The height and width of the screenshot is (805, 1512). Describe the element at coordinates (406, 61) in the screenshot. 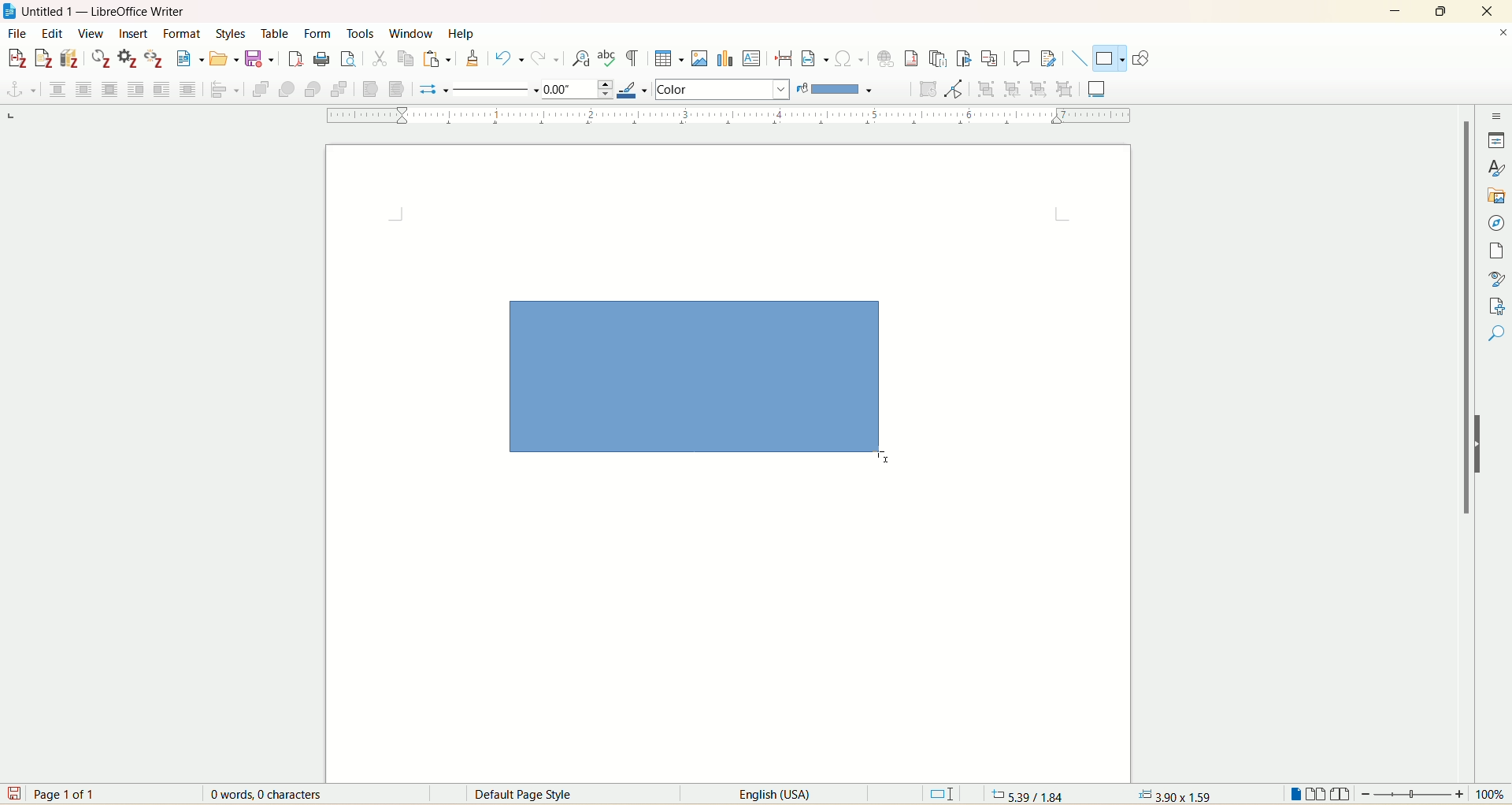

I see `copy` at that location.